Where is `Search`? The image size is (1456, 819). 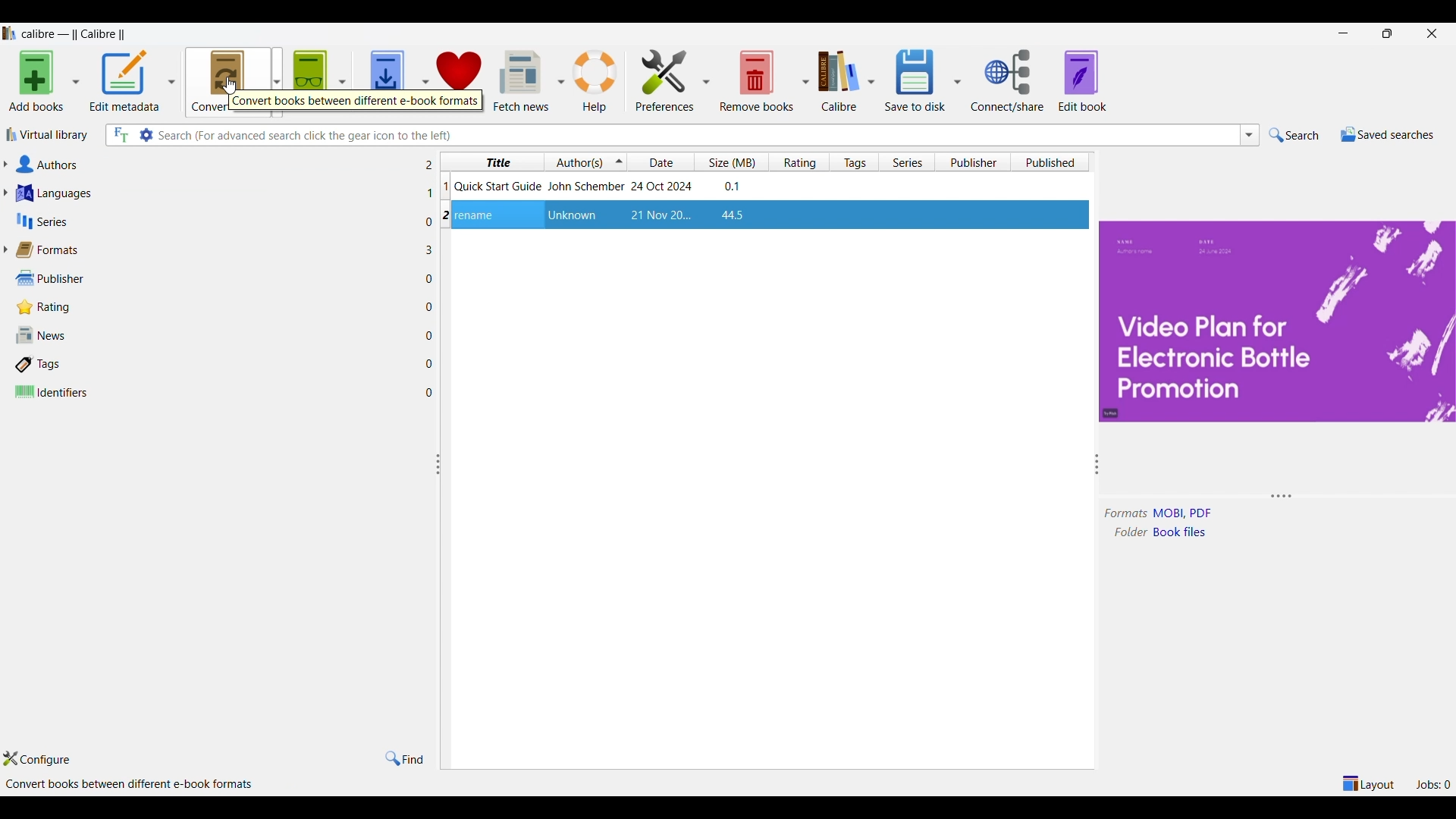
Search is located at coordinates (1294, 135).